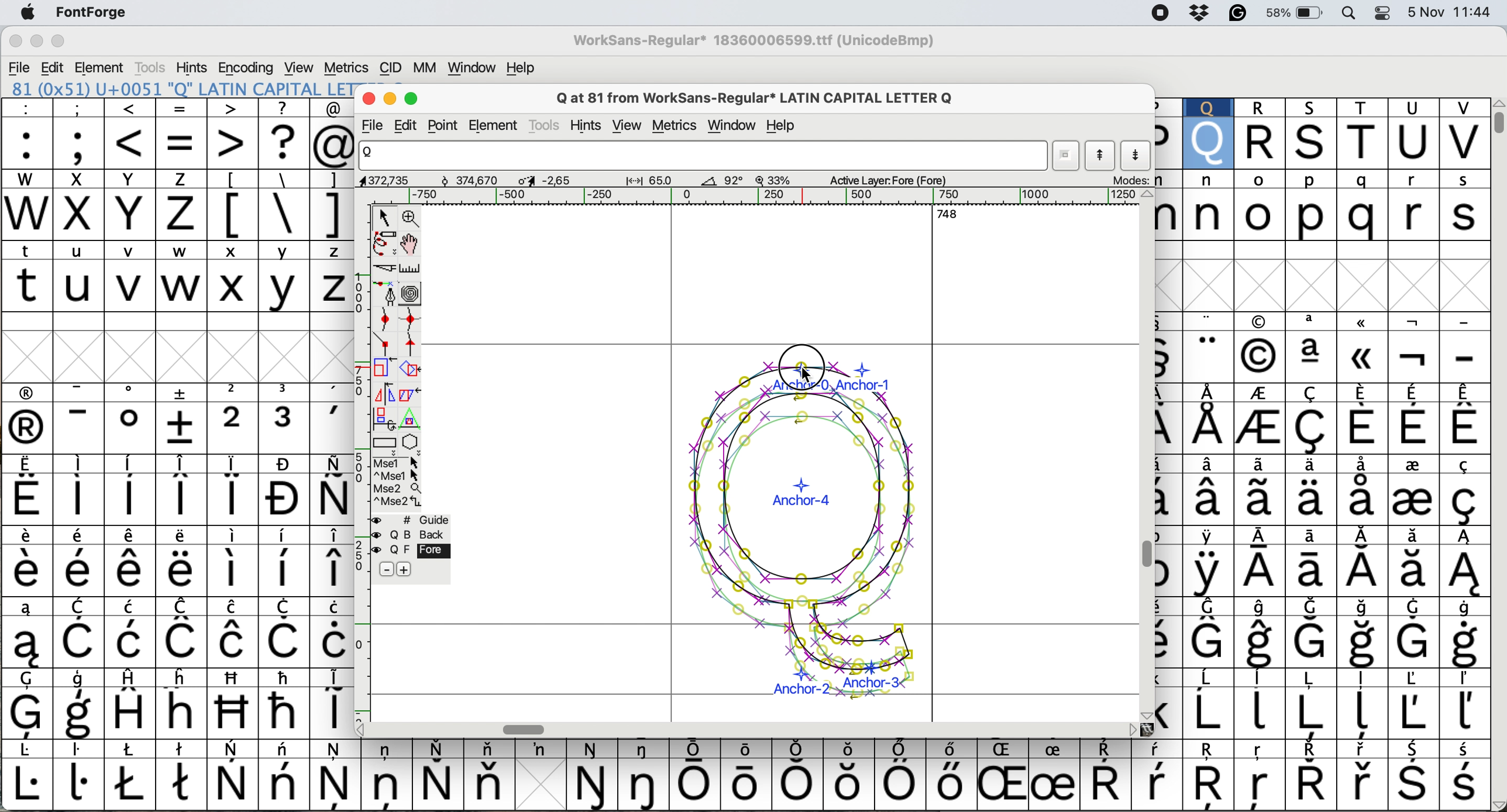 Image resolution: width=1507 pixels, height=812 pixels. What do you see at coordinates (153, 66) in the screenshot?
I see `tools` at bounding box center [153, 66].